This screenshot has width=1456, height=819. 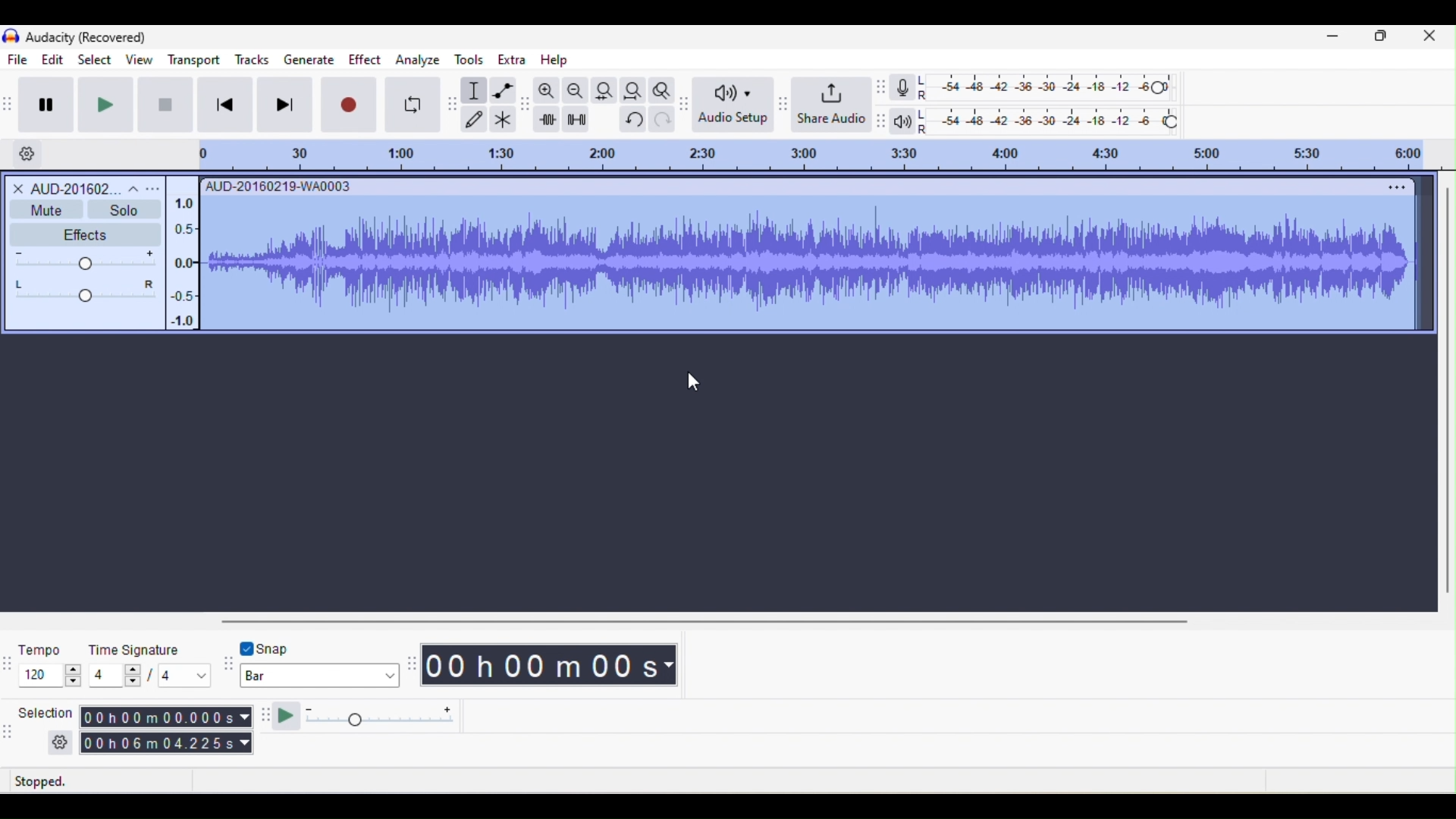 What do you see at coordinates (574, 90) in the screenshot?
I see `zoom out` at bounding box center [574, 90].